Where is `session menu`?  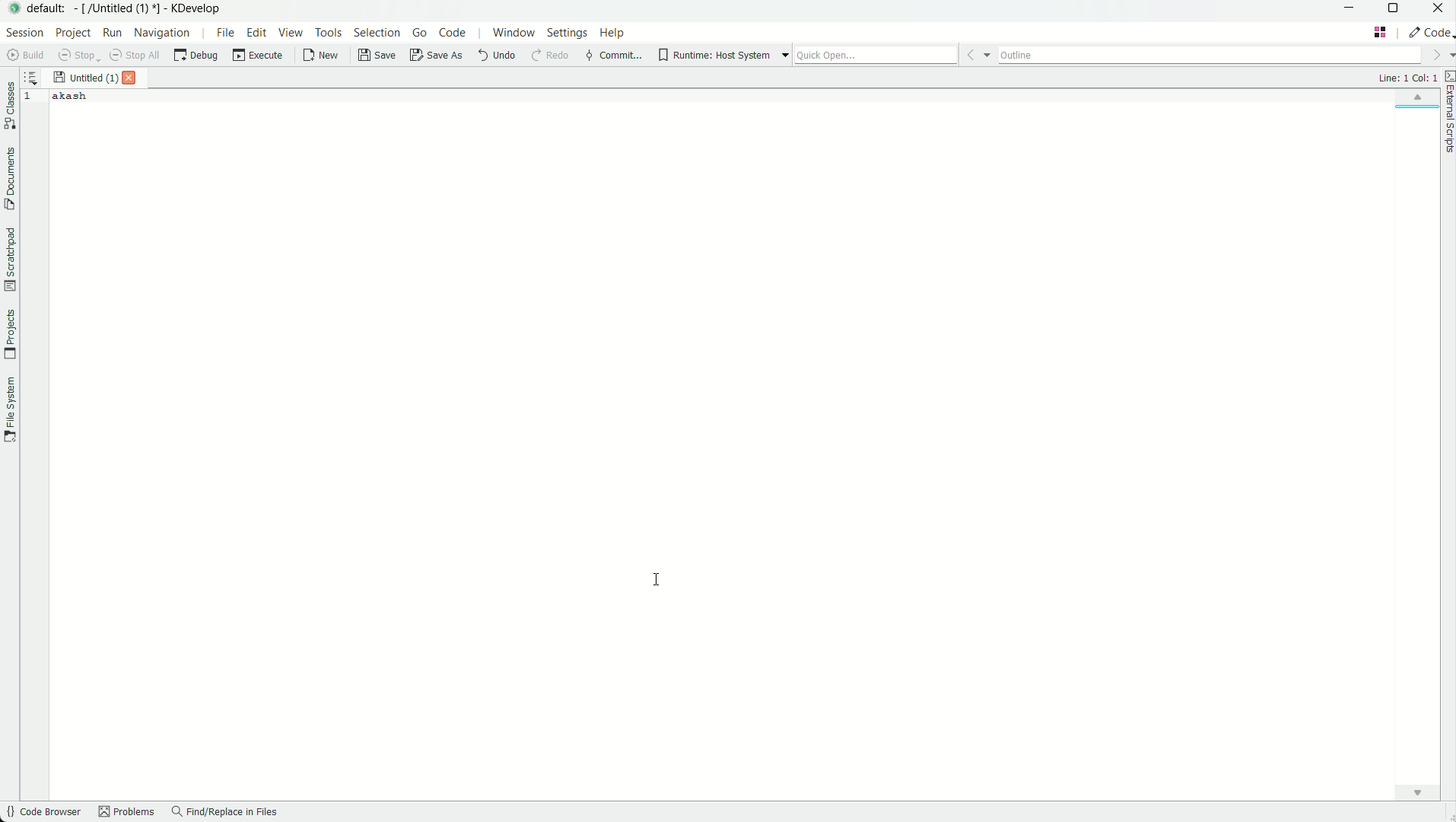
session menu is located at coordinates (23, 32).